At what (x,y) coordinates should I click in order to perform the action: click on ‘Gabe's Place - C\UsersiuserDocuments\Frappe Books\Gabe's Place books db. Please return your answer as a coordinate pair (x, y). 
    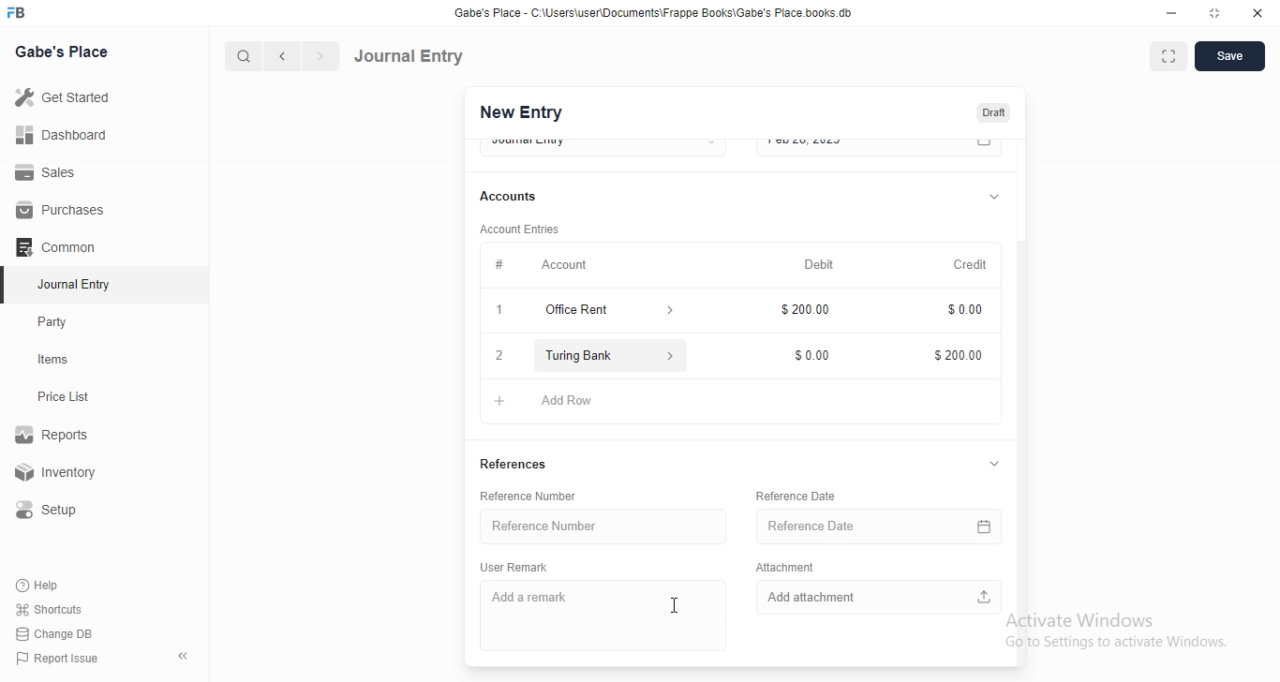
    Looking at the image, I should click on (669, 12).